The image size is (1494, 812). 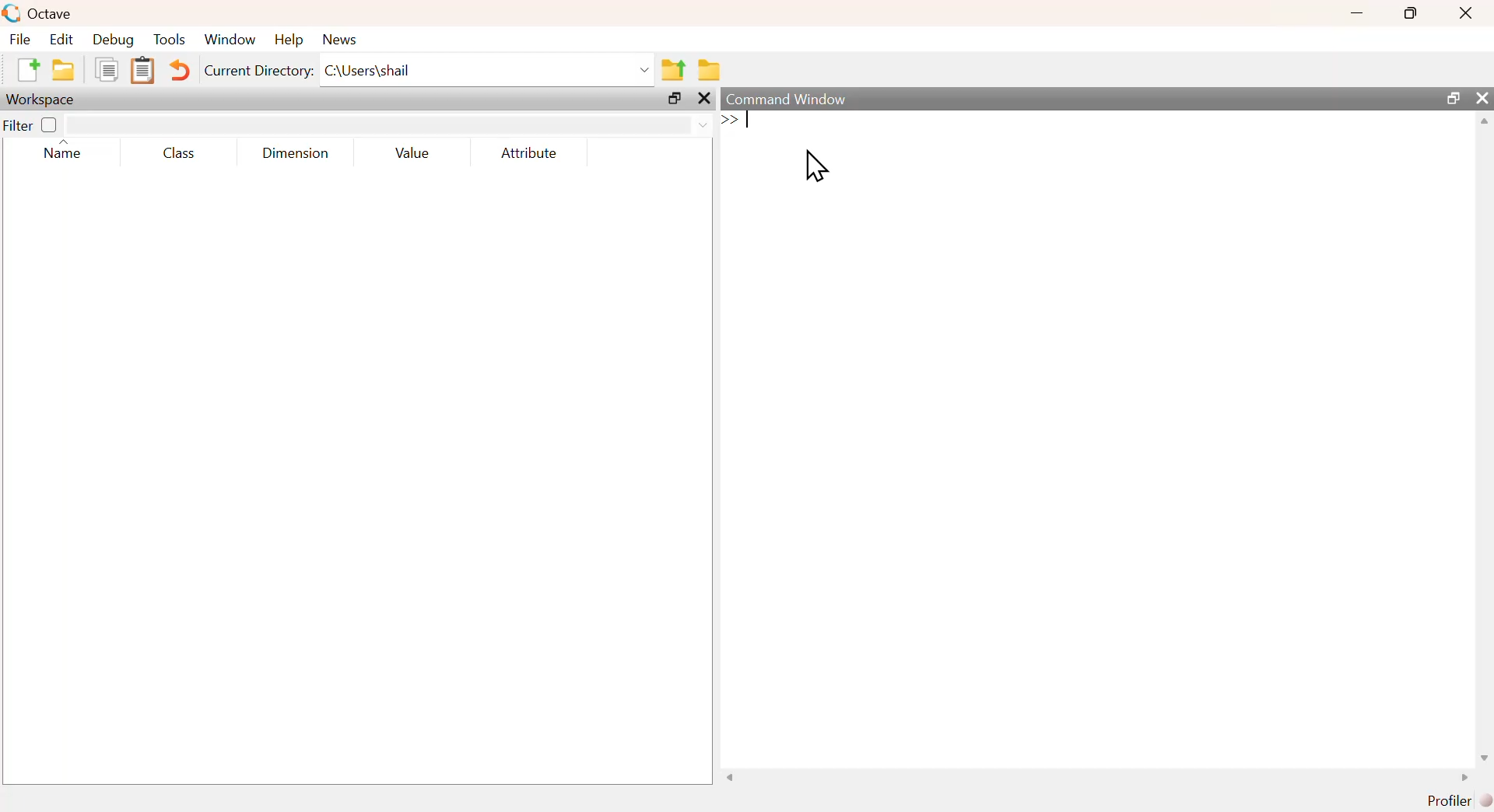 I want to click on filter, so click(x=18, y=124).